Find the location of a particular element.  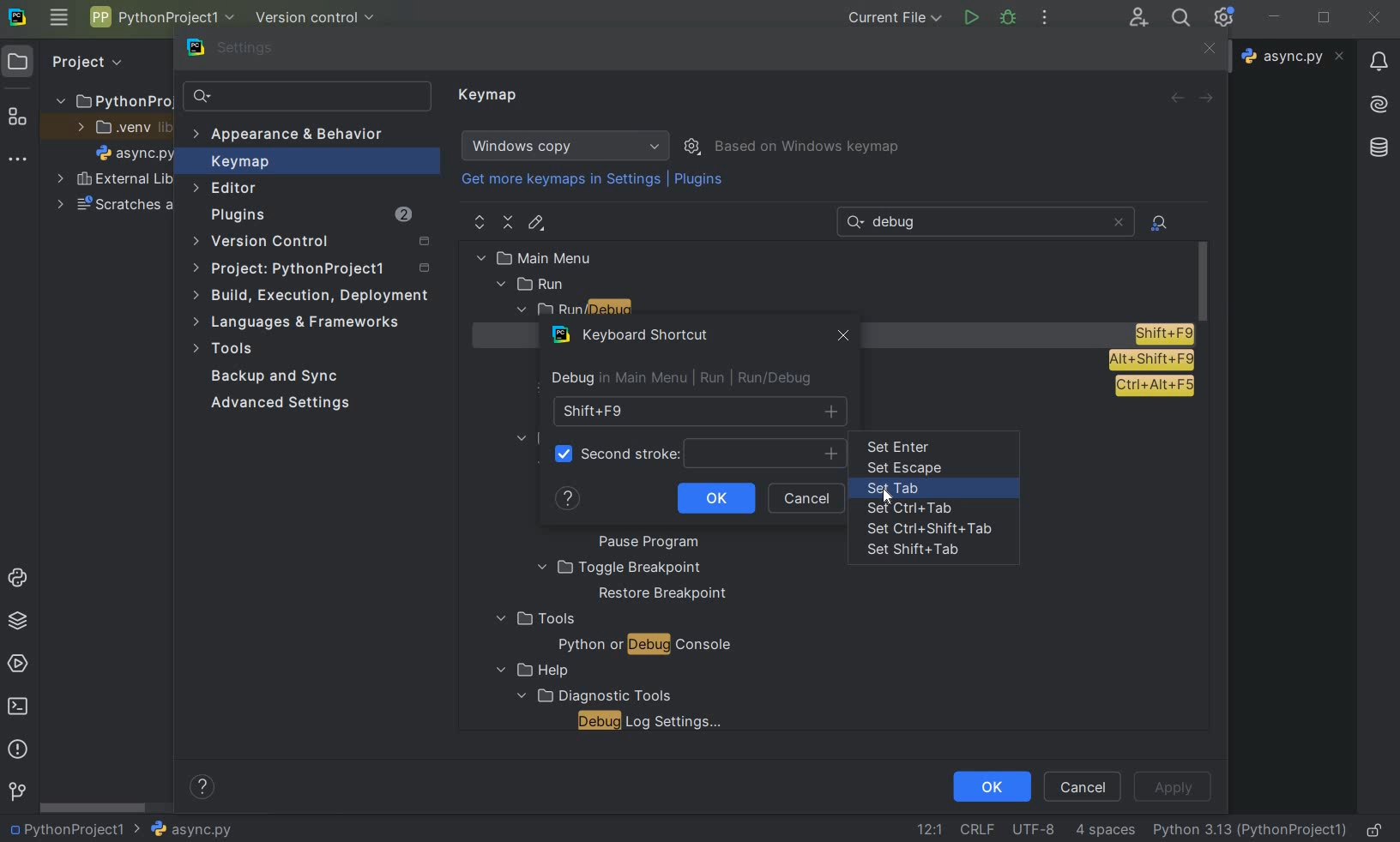

set shift+tab is located at coordinates (914, 552).